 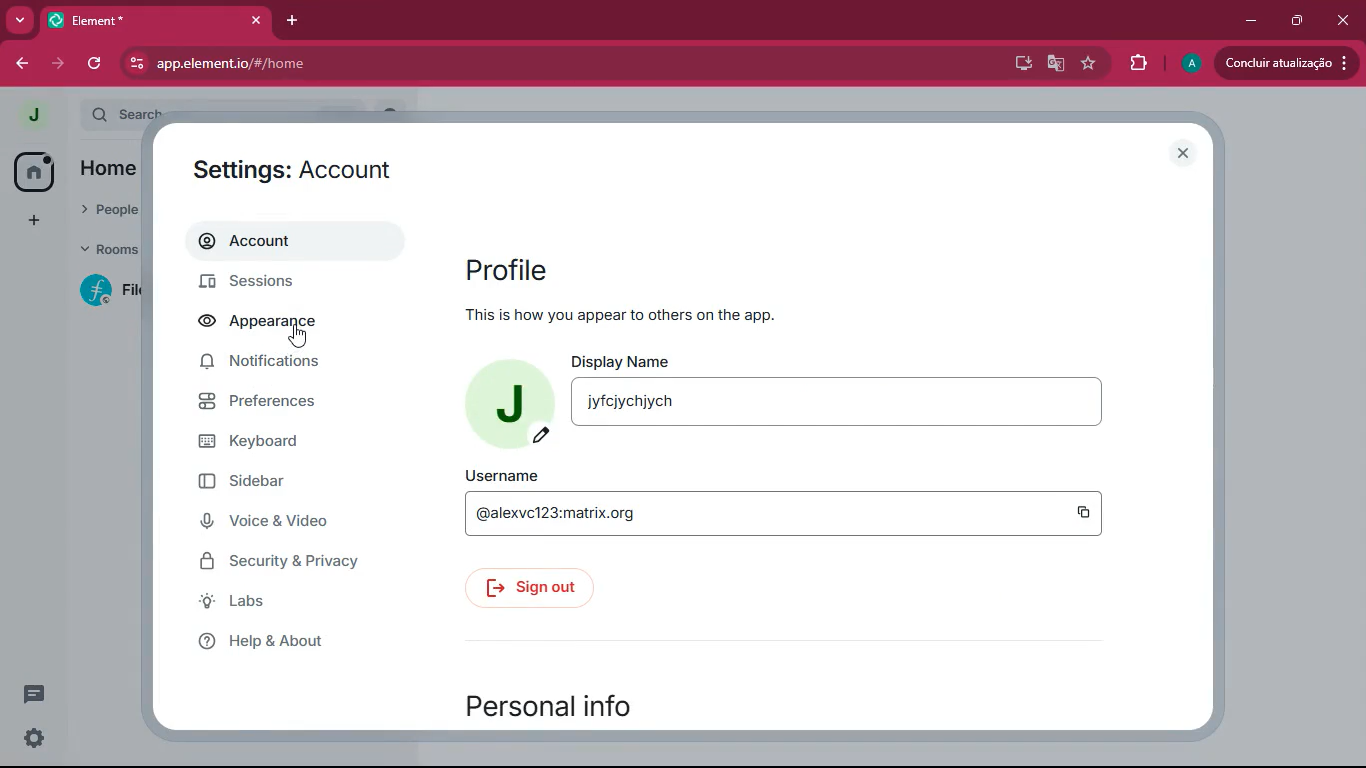 What do you see at coordinates (35, 170) in the screenshot?
I see `home` at bounding box center [35, 170].